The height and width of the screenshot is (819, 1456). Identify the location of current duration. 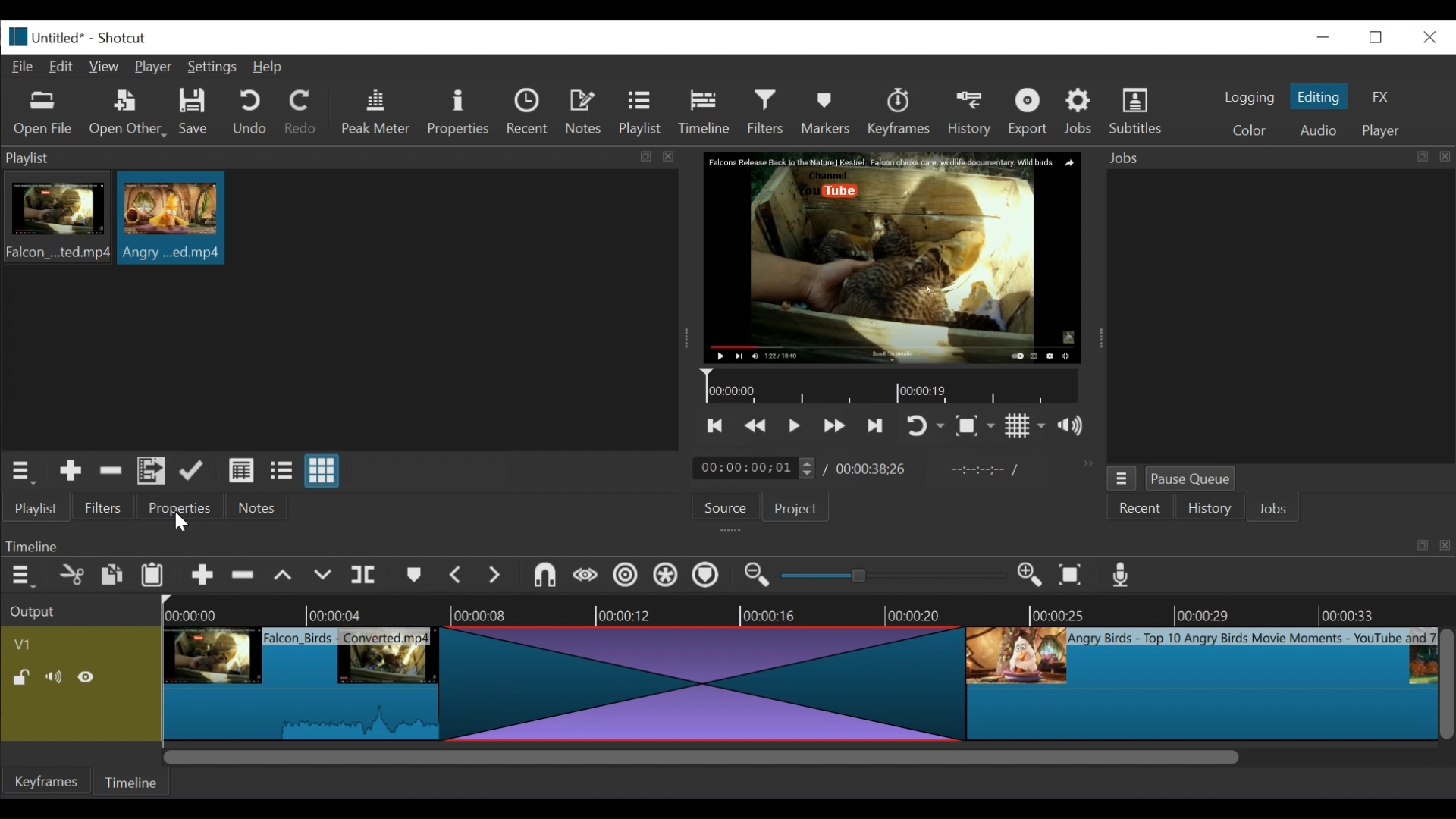
(756, 469).